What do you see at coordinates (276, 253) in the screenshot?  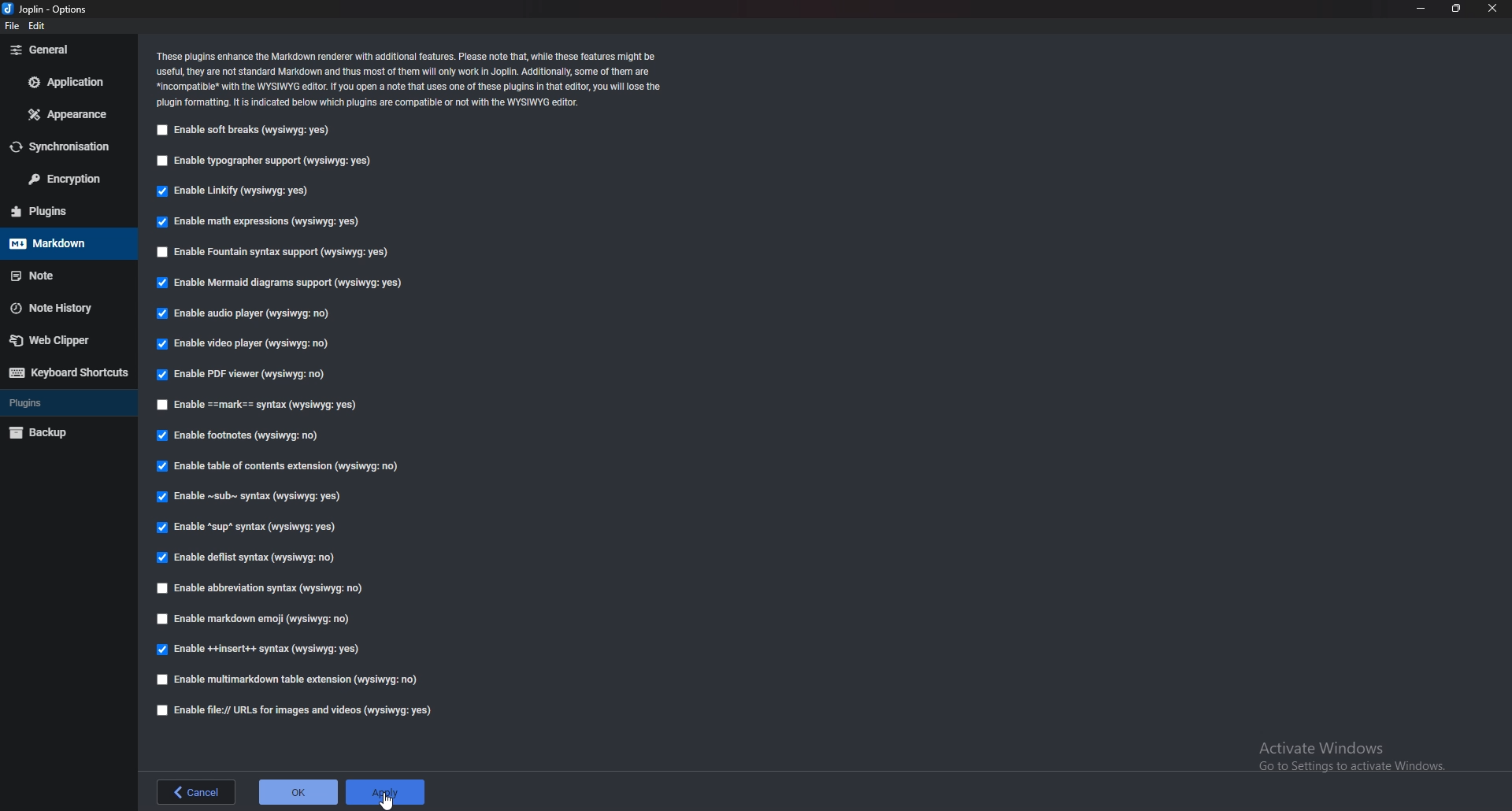 I see `enable Fountain syntax support` at bounding box center [276, 253].